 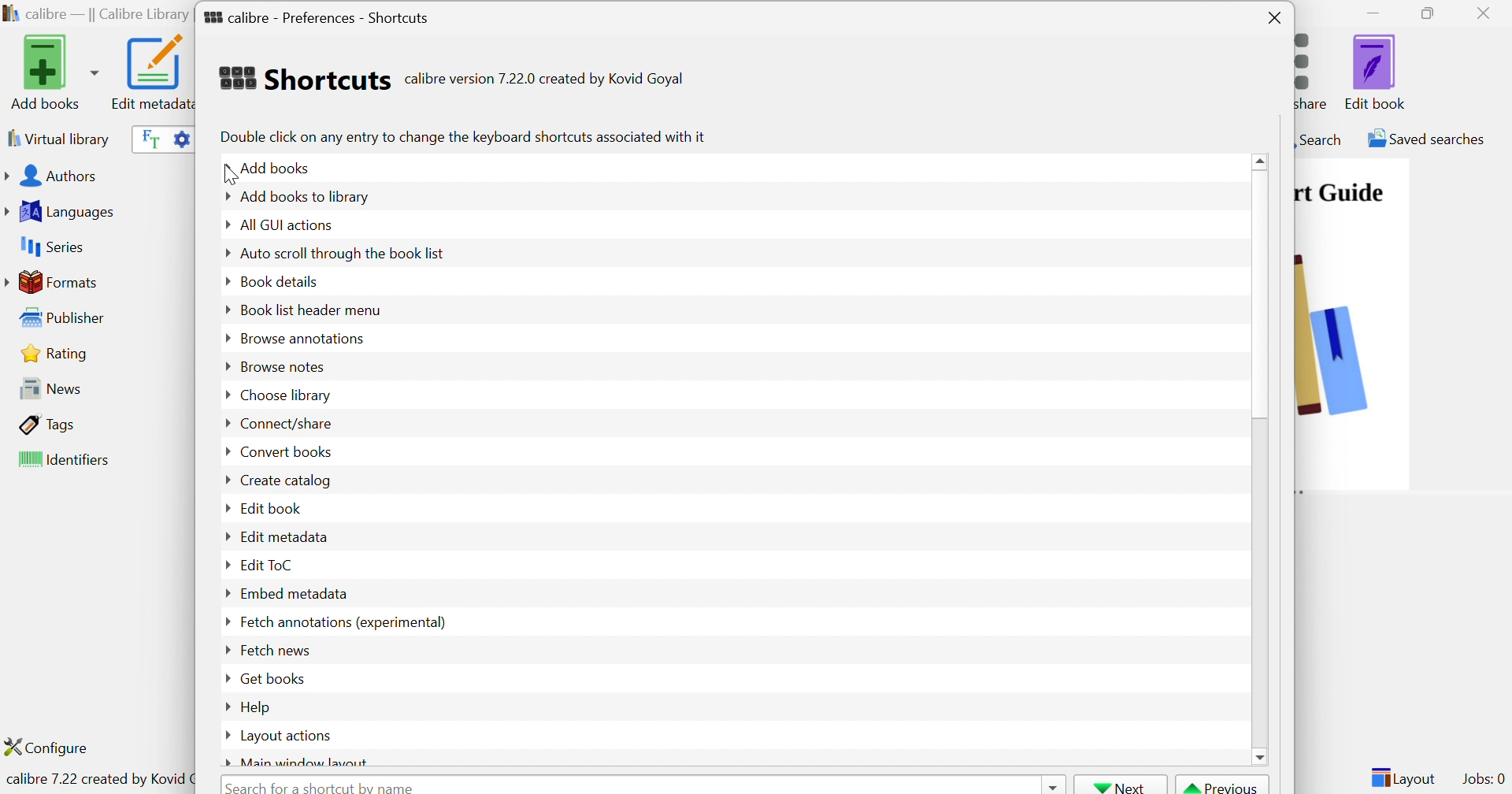 What do you see at coordinates (306, 761) in the screenshot?
I see `Main window layout` at bounding box center [306, 761].